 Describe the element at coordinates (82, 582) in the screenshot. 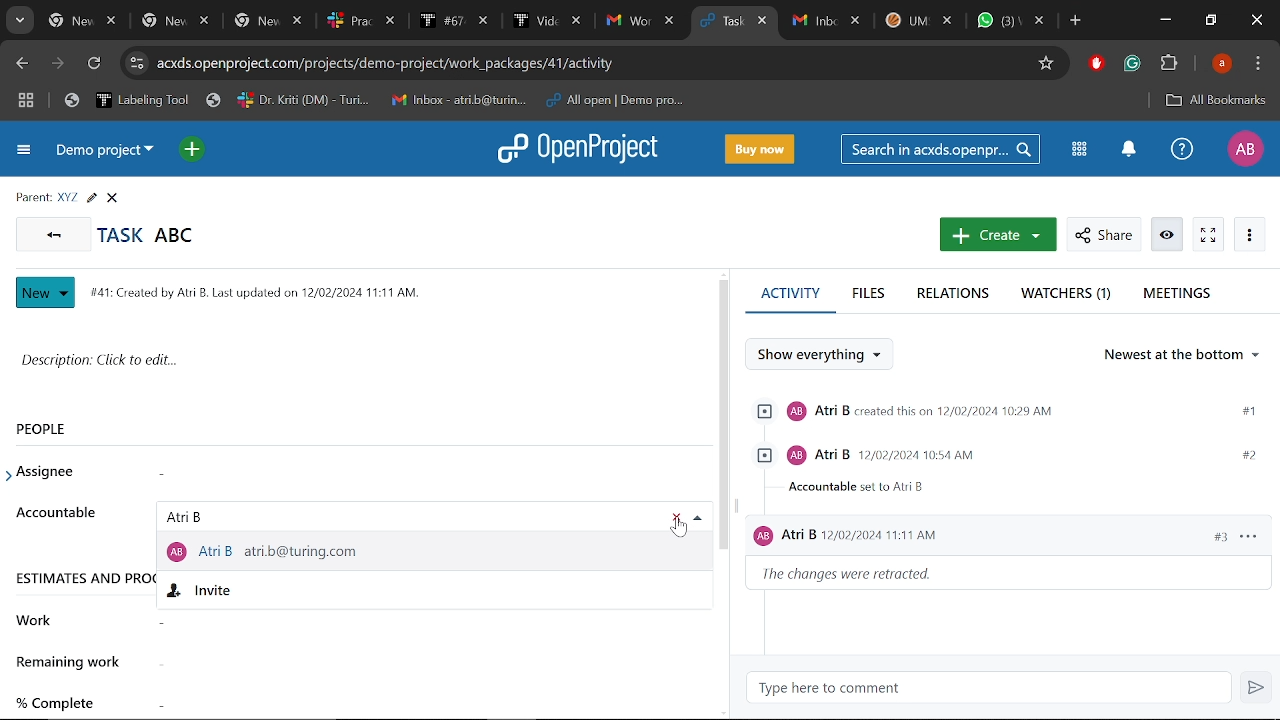

I see `ESTIMATES AND PRO` at that location.